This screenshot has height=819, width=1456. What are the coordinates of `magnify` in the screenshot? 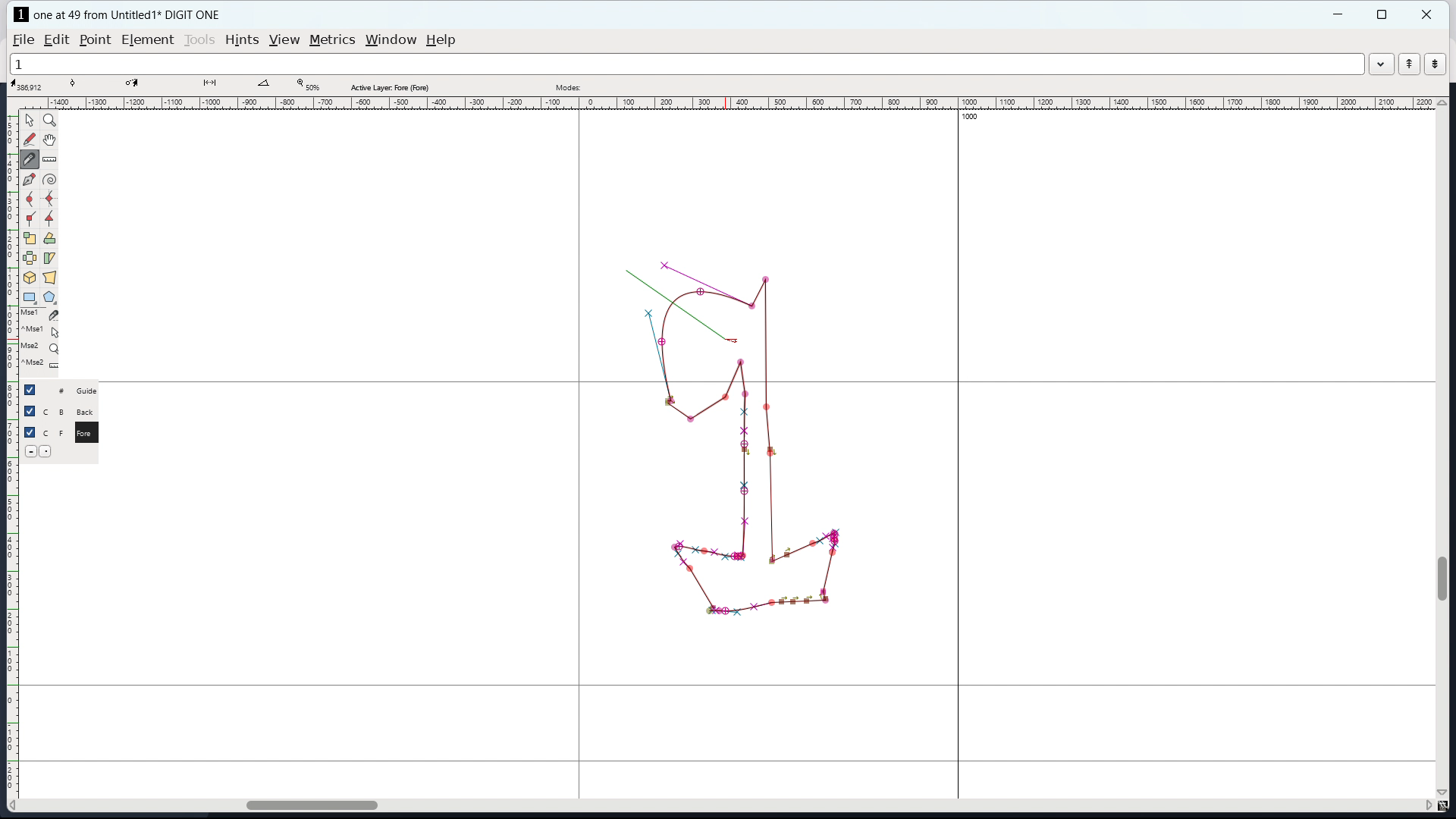 It's located at (50, 120).